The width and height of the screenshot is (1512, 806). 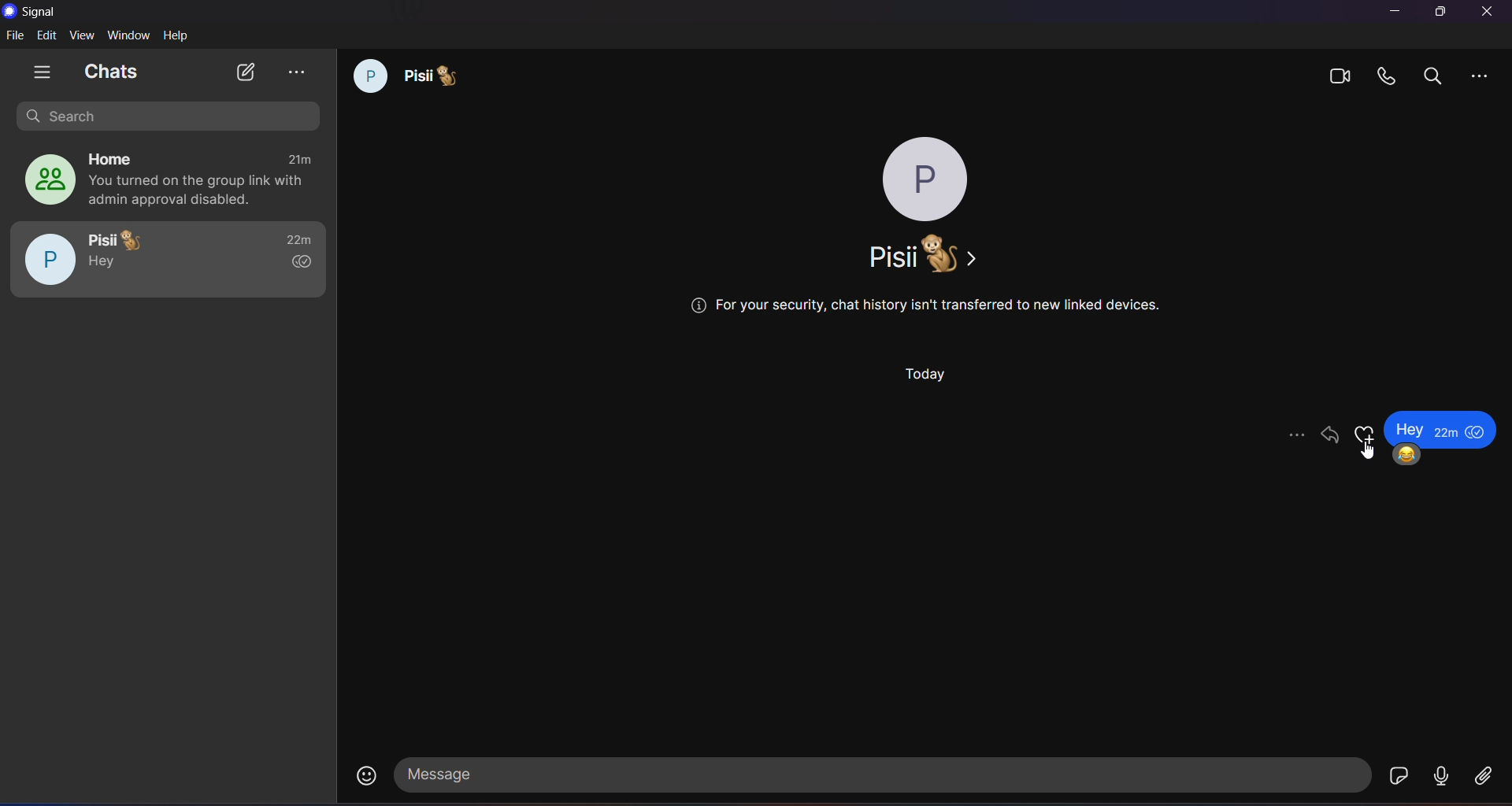 I want to click on stickers, so click(x=1400, y=775).